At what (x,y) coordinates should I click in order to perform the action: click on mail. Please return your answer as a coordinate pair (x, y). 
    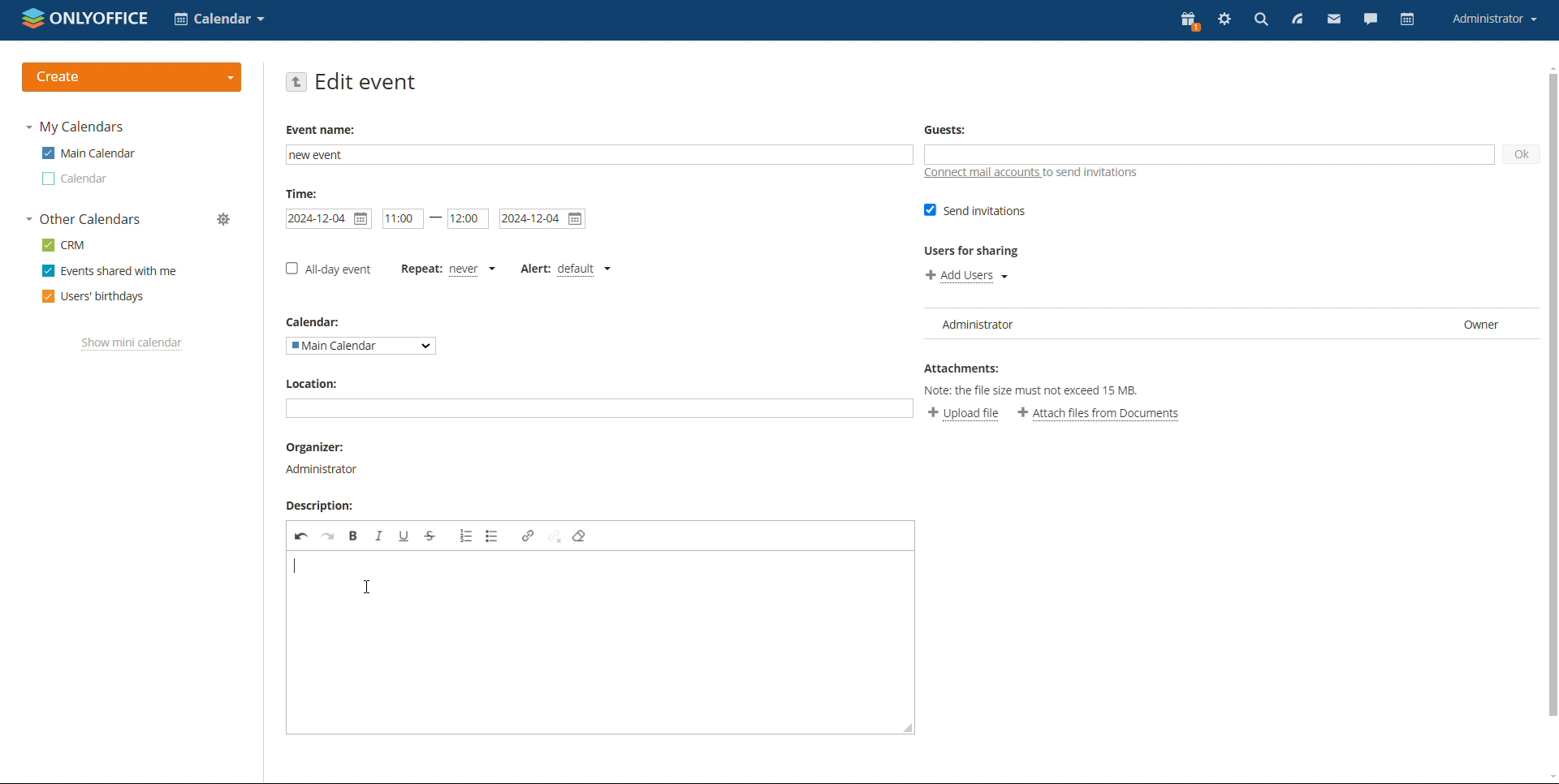
    Looking at the image, I should click on (1333, 21).